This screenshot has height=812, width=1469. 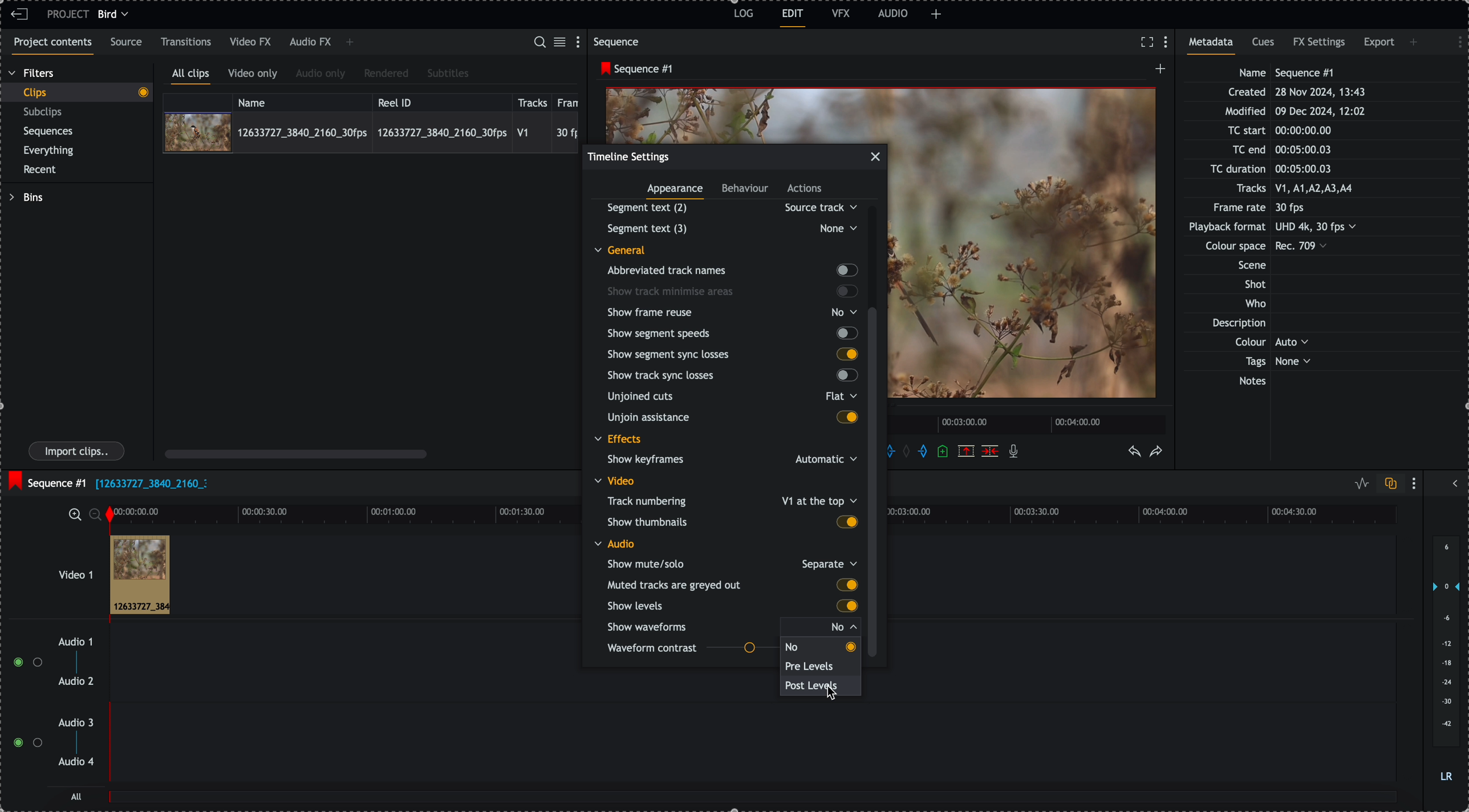 What do you see at coordinates (78, 452) in the screenshot?
I see `import clips button` at bounding box center [78, 452].